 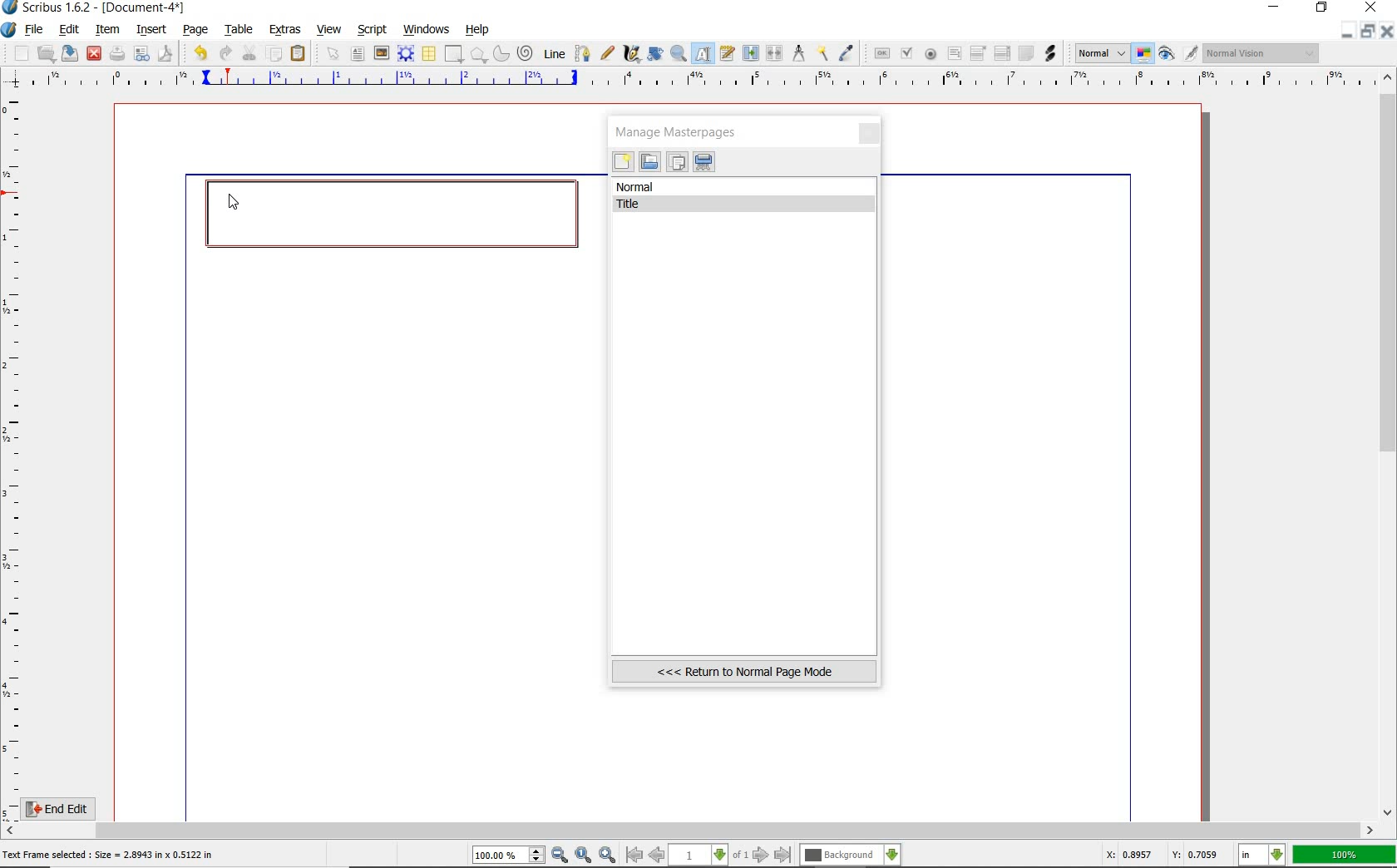 What do you see at coordinates (580, 53) in the screenshot?
I see `Bezier curve` at bounding box center [580, 53].